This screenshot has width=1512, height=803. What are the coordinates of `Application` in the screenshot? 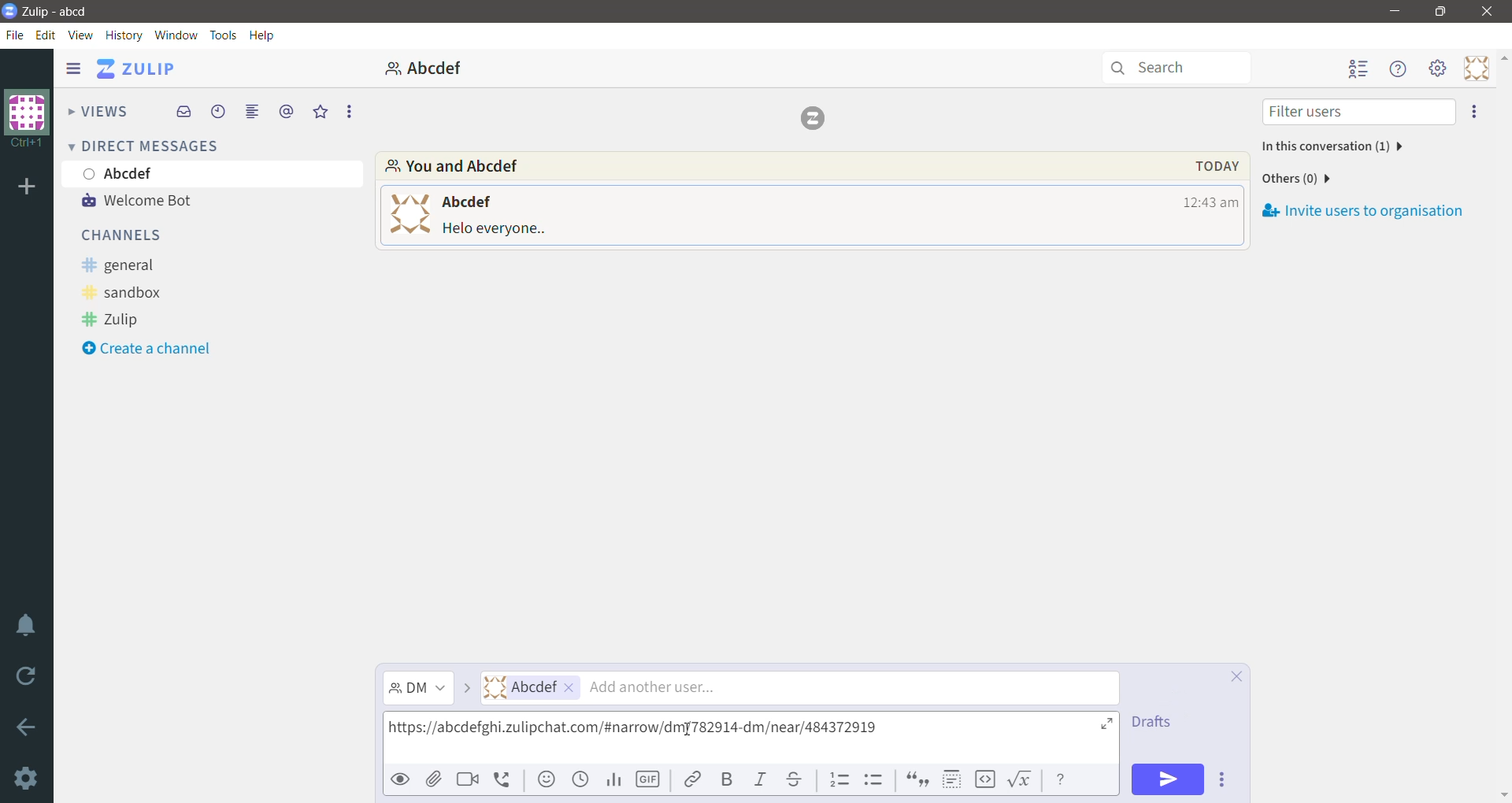 It's located at (136, 68).